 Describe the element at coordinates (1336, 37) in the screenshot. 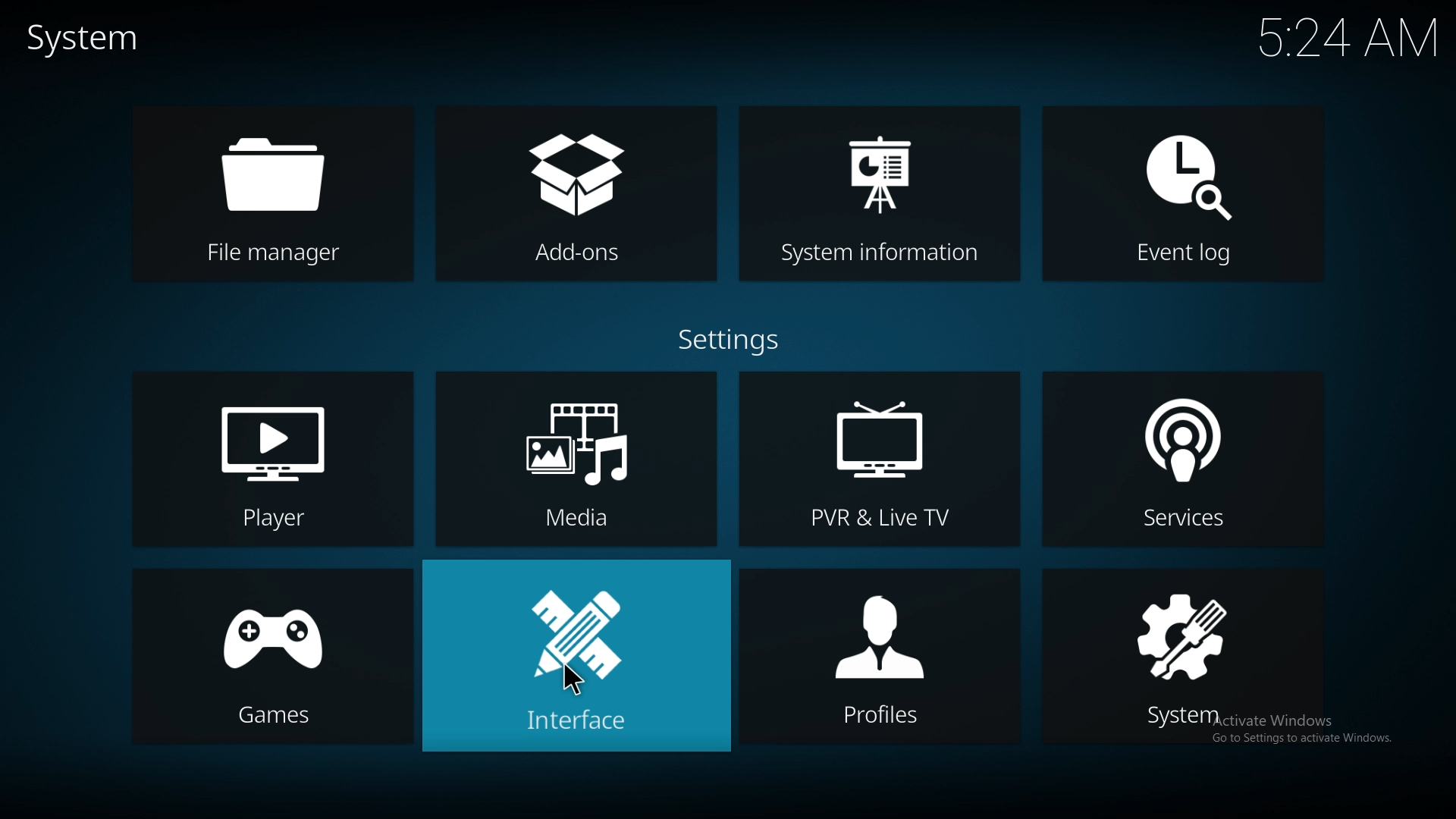

I see `time` at that location.